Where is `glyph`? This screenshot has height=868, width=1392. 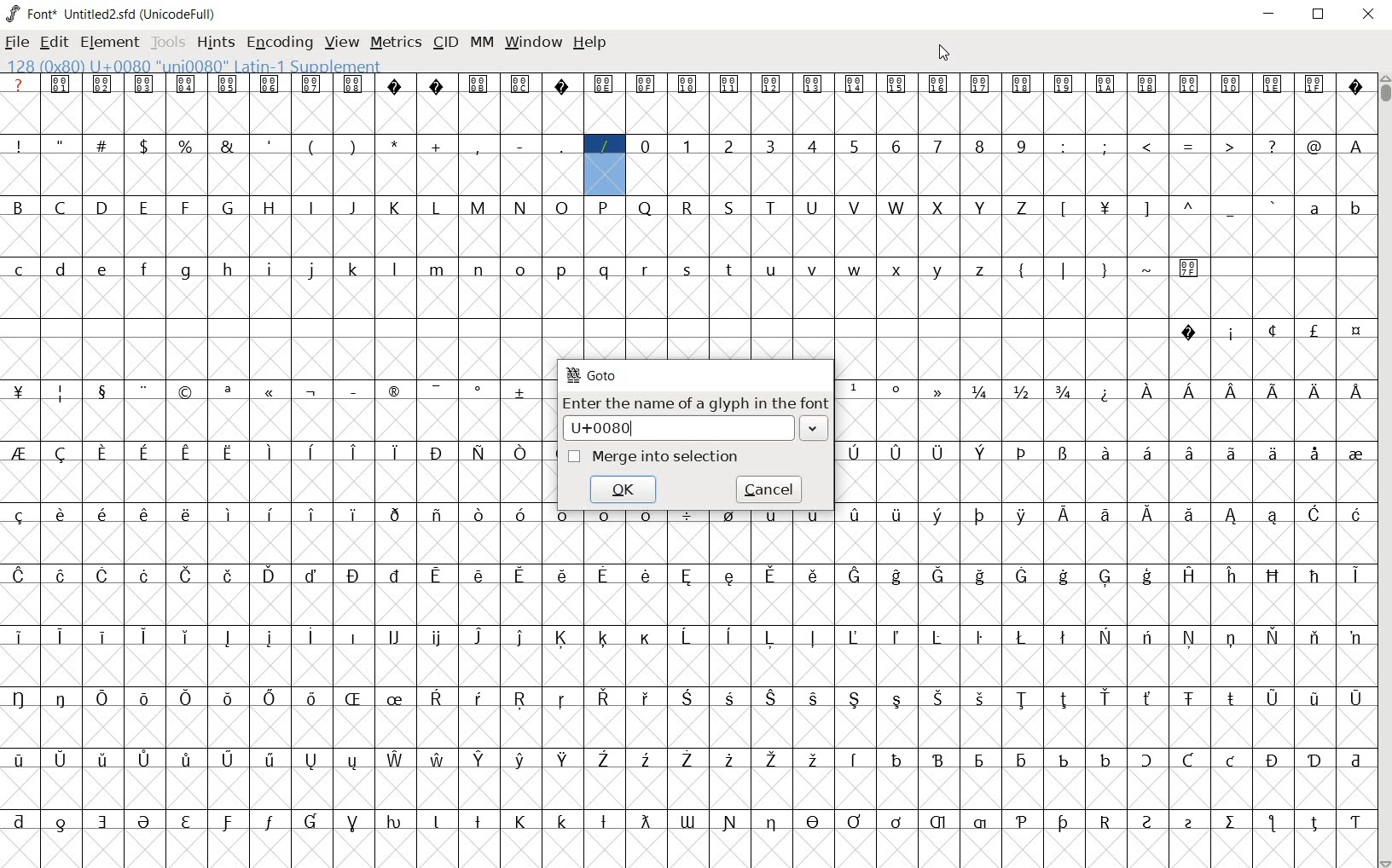
glyph is located at coordinates (1147, 576).